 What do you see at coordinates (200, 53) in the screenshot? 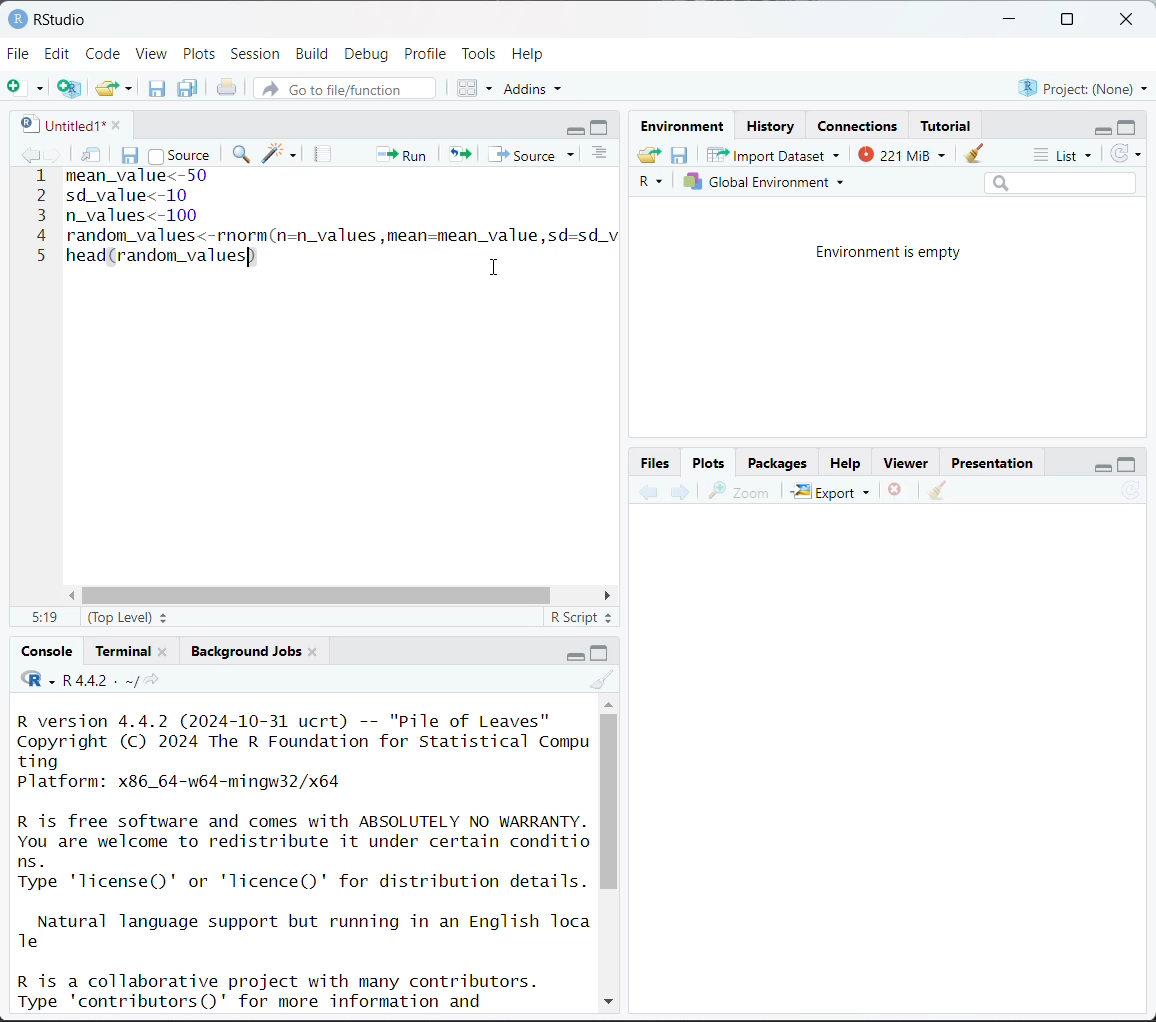
I see `Plots` at bounding box center [200, 53].